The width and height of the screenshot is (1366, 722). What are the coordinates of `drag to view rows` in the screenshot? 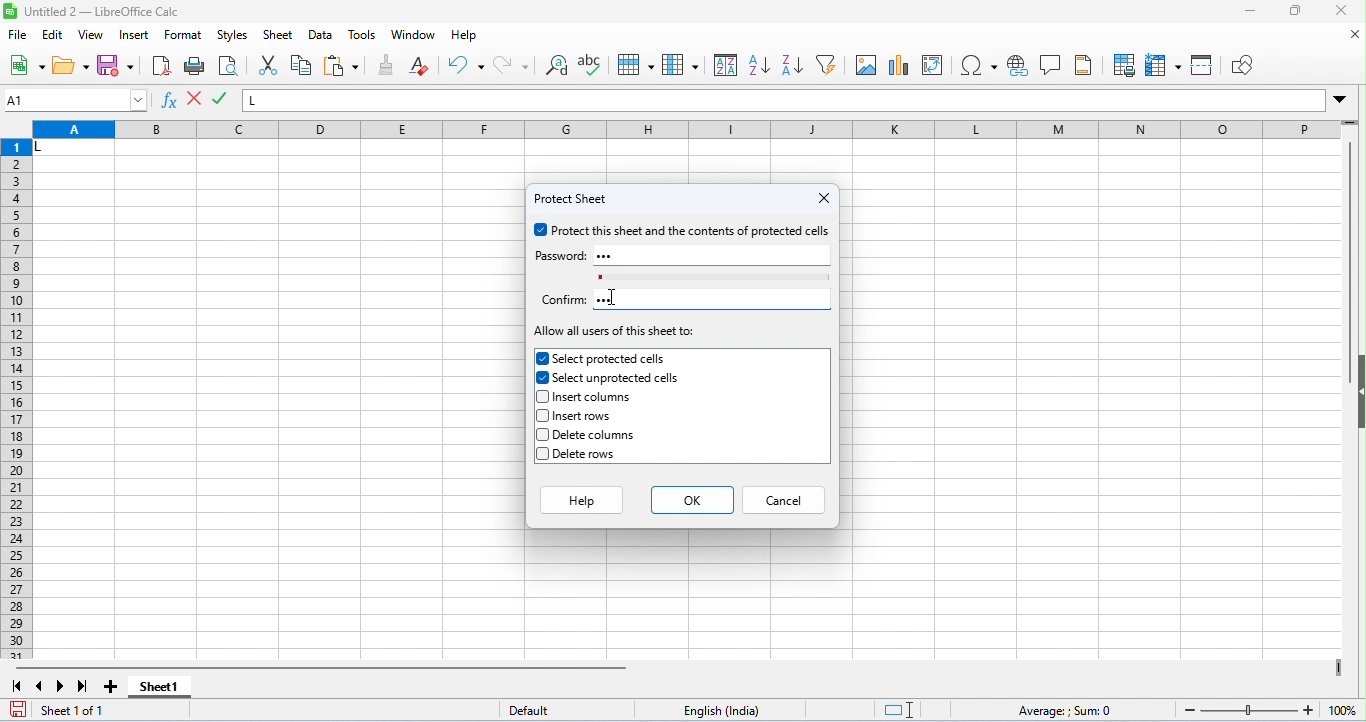 It's located at (1350, 122).